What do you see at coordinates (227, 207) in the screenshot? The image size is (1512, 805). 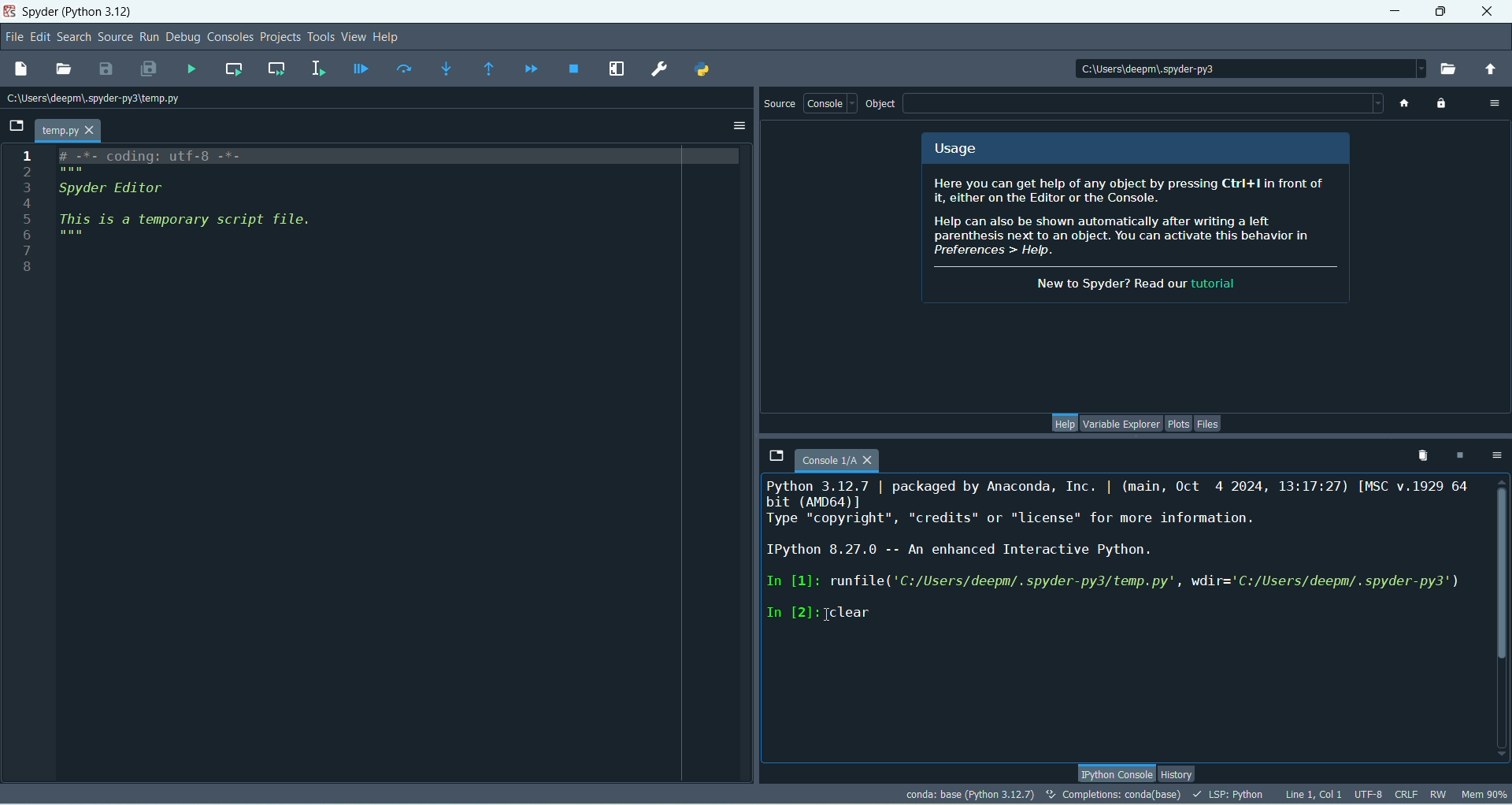 I see `script file` at bounding box center [227, 207].